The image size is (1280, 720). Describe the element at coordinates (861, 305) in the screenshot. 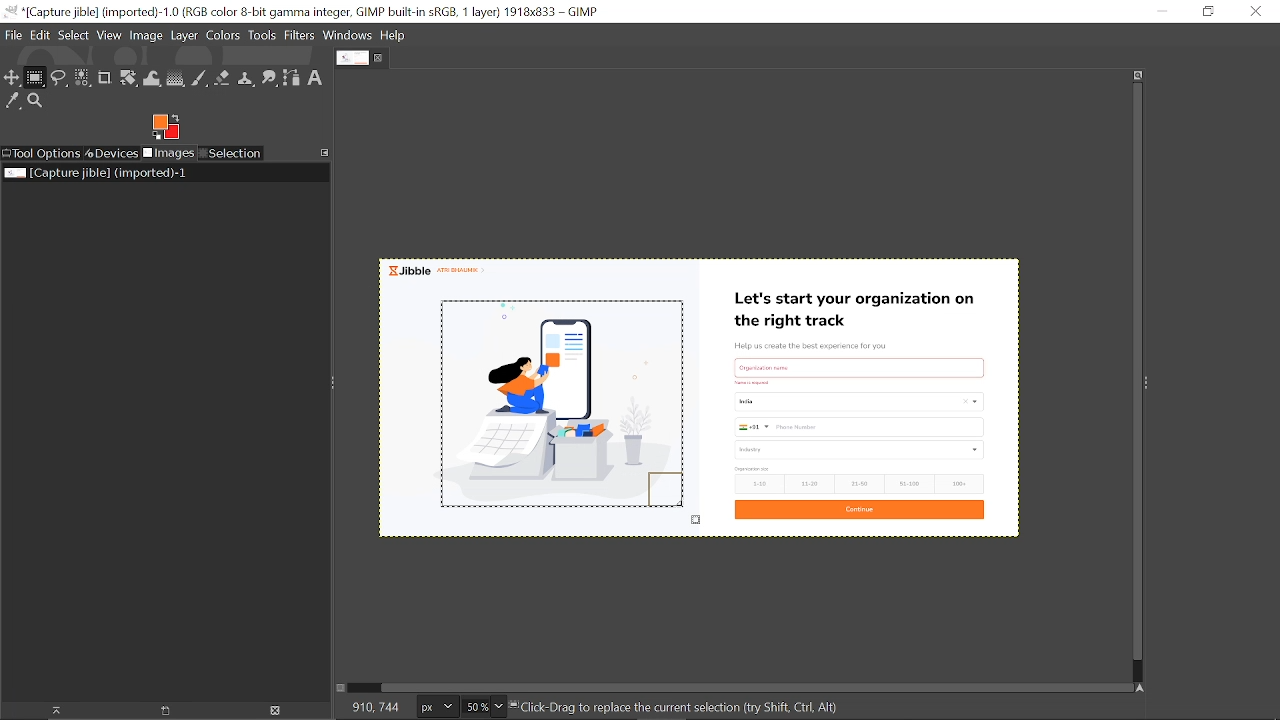

I see `Let's start your organization on
the right track` at that location.